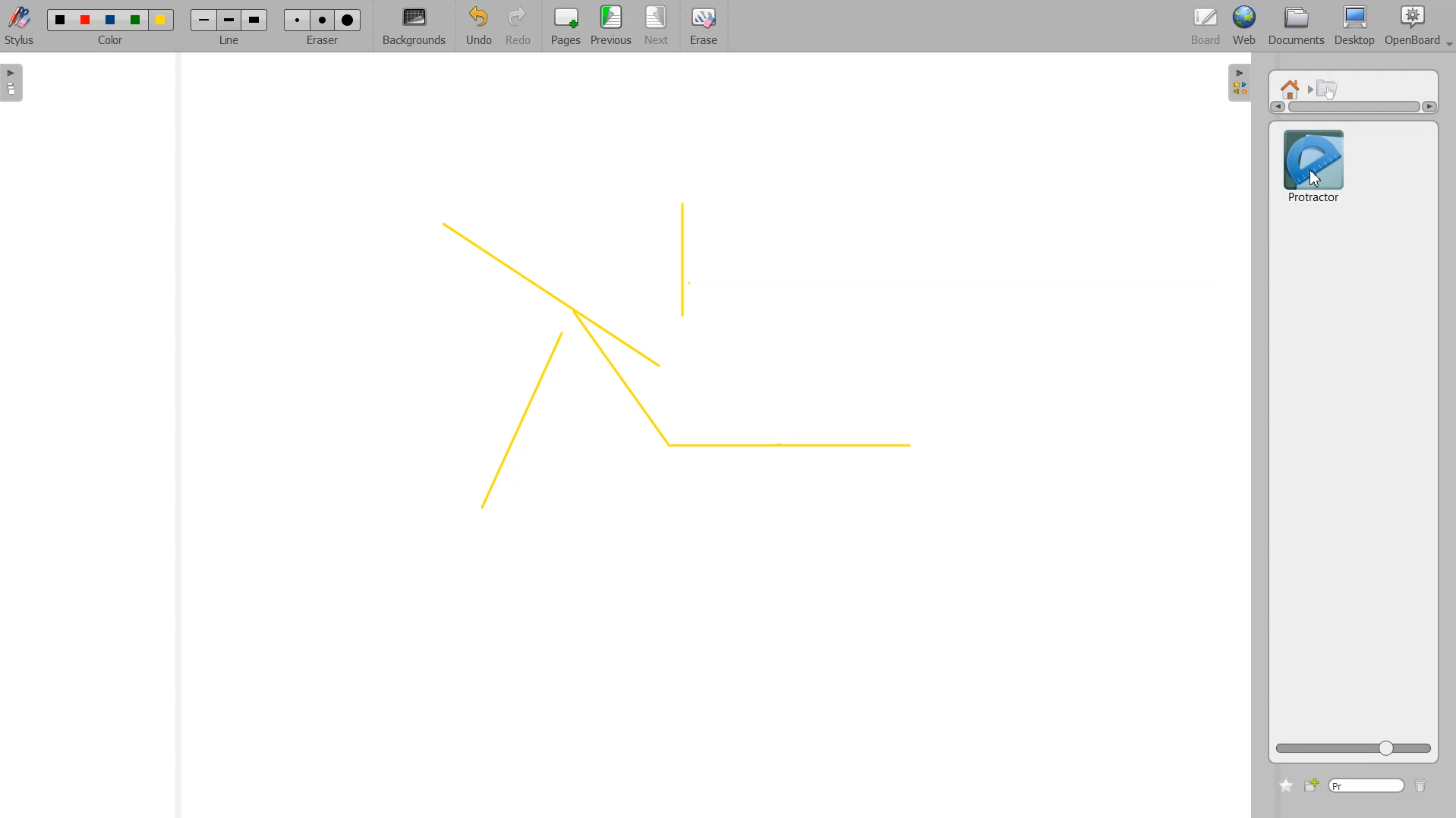 The image size is (1456, 818). Describe the element at coordinates (232, 42) in the screenshot. I see `line` at that location.